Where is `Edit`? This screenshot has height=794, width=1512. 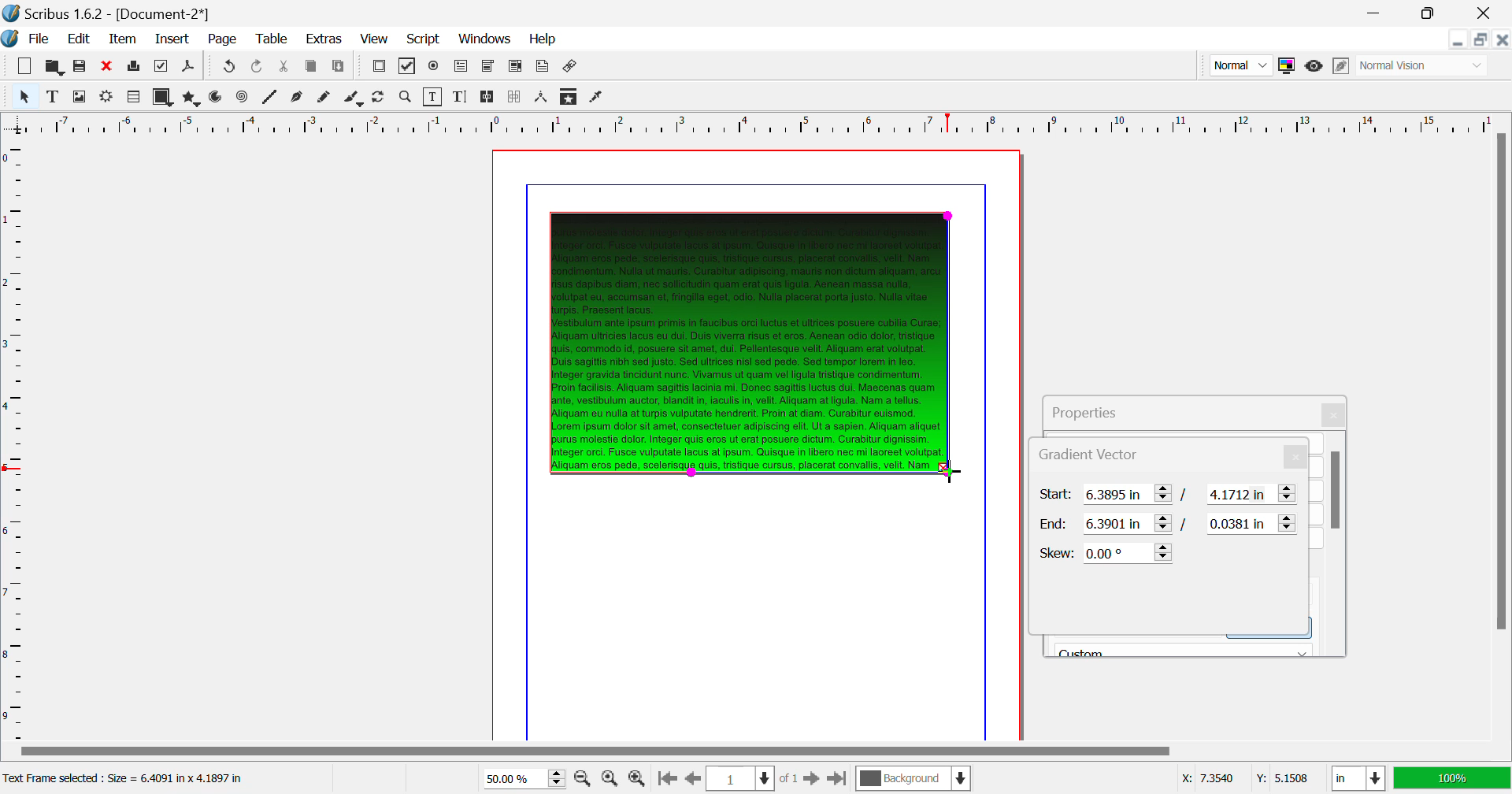 Edit is located at coordinates (76, 39).